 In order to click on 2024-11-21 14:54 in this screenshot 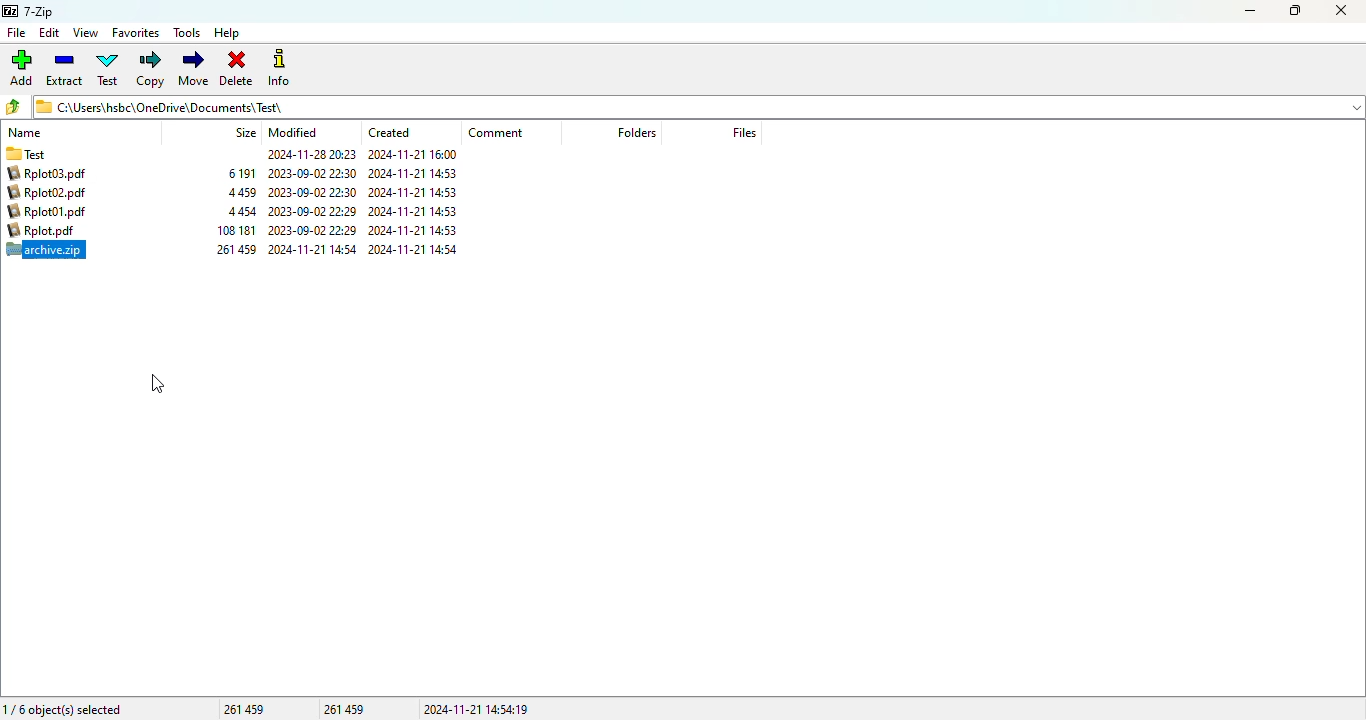, I will do `click(416, 172)`.